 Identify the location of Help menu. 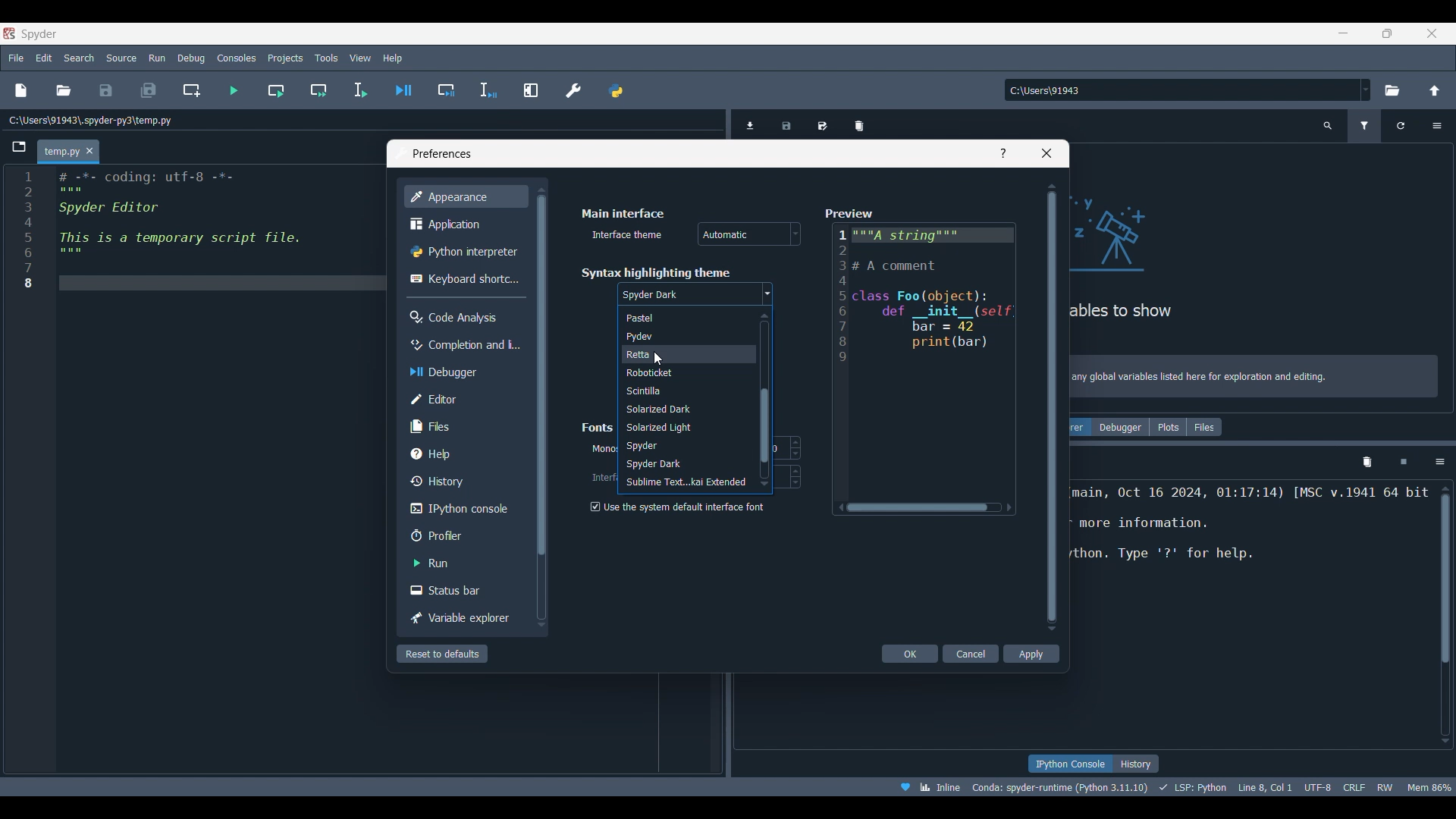
(392, 58).